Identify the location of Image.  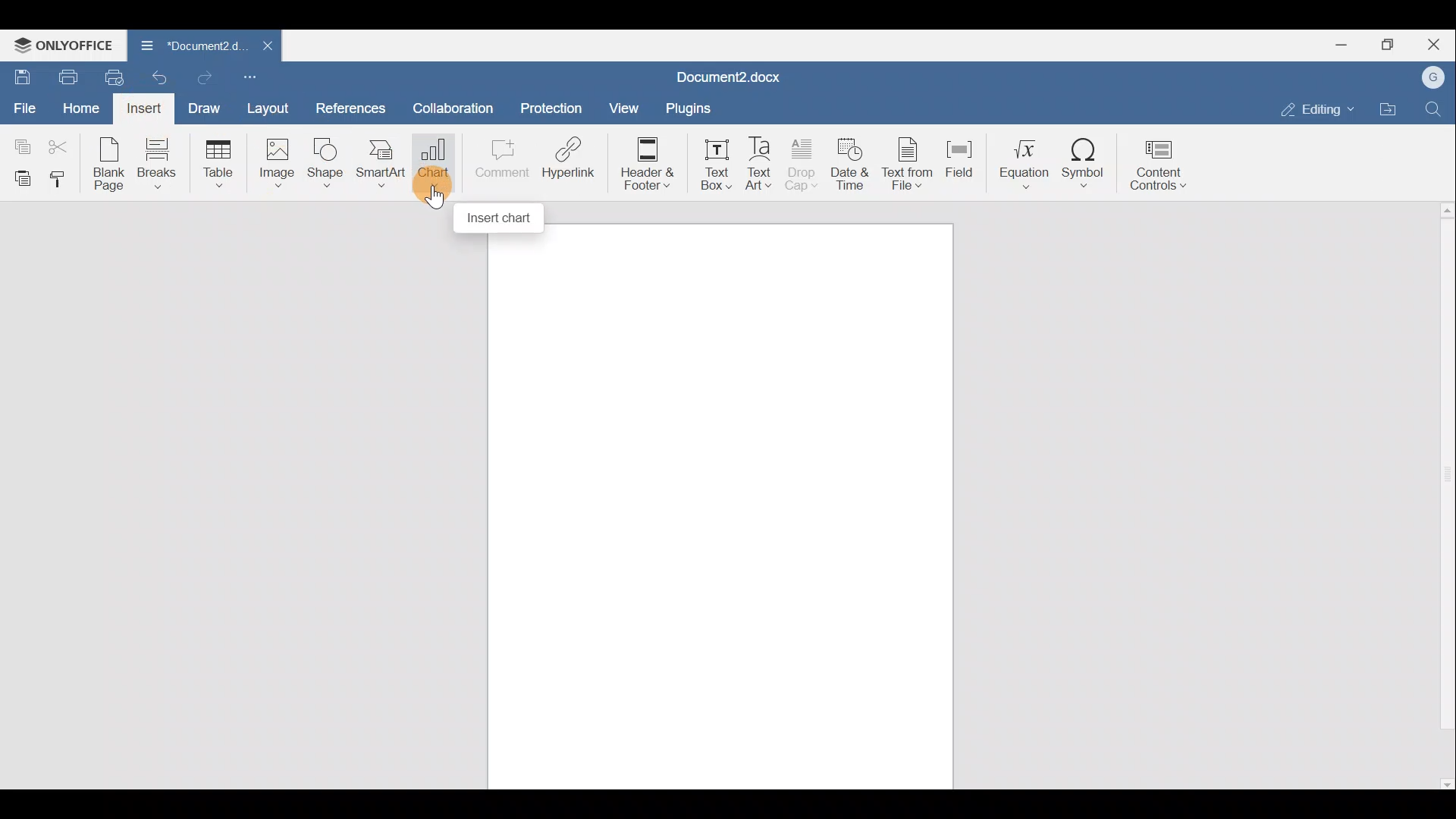
(275, 163).